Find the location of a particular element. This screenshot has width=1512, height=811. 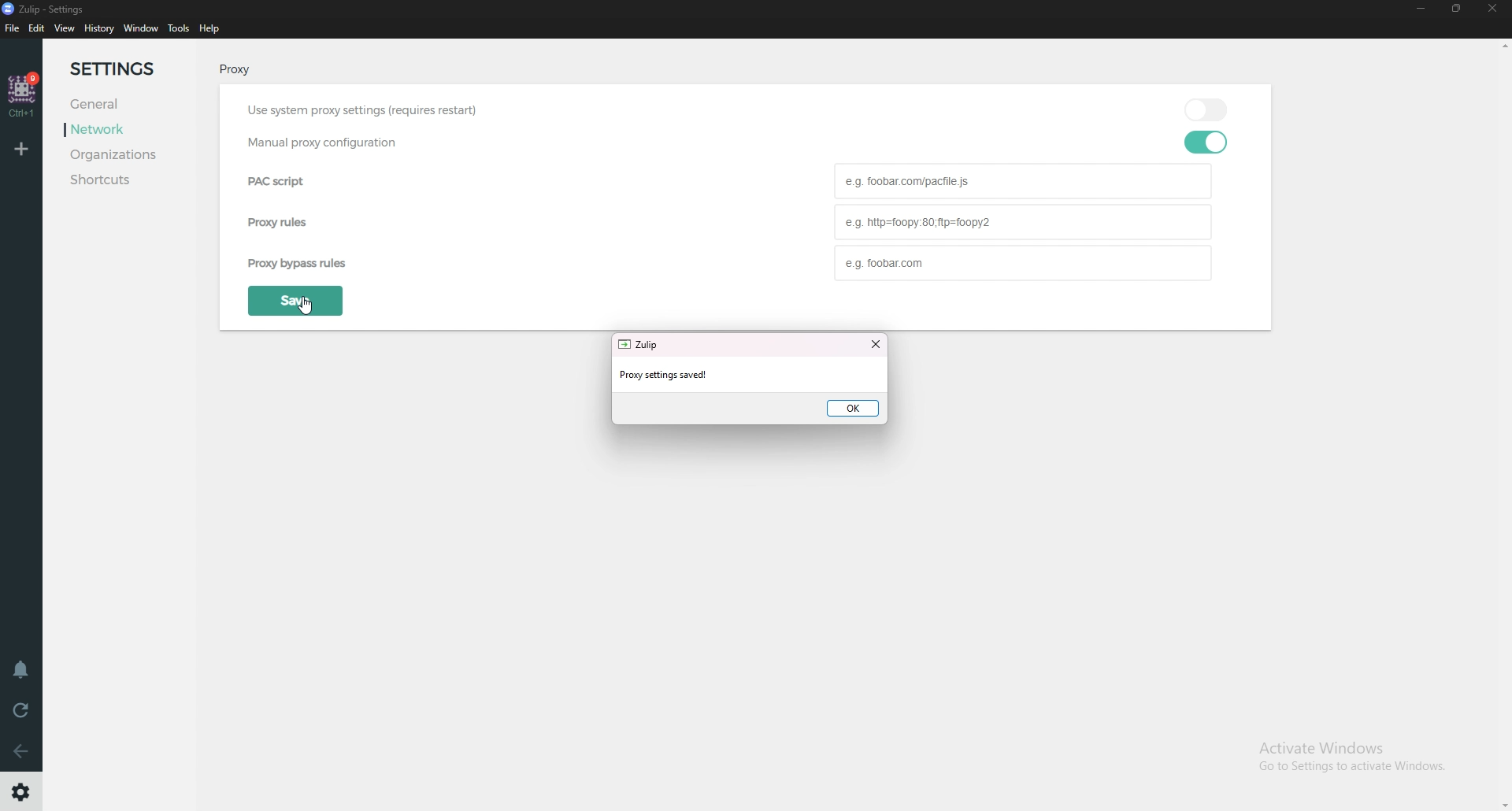

Manual proxy configuration is located at coordinates (317, 143).